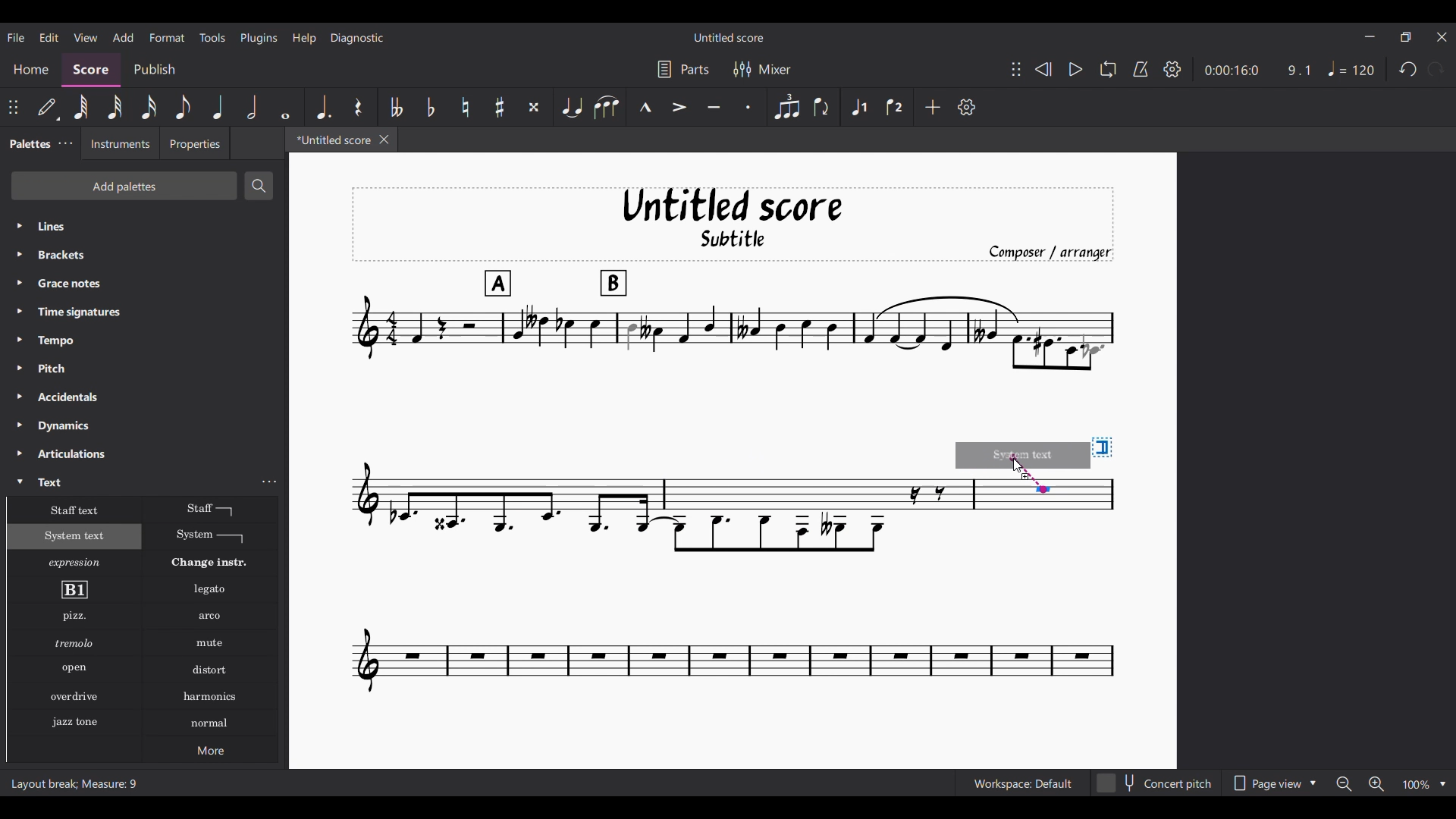  What do you see at coordinates (1370, 36) in the screenshot?
I see `Minimize` at bounding box center [1370, 36].